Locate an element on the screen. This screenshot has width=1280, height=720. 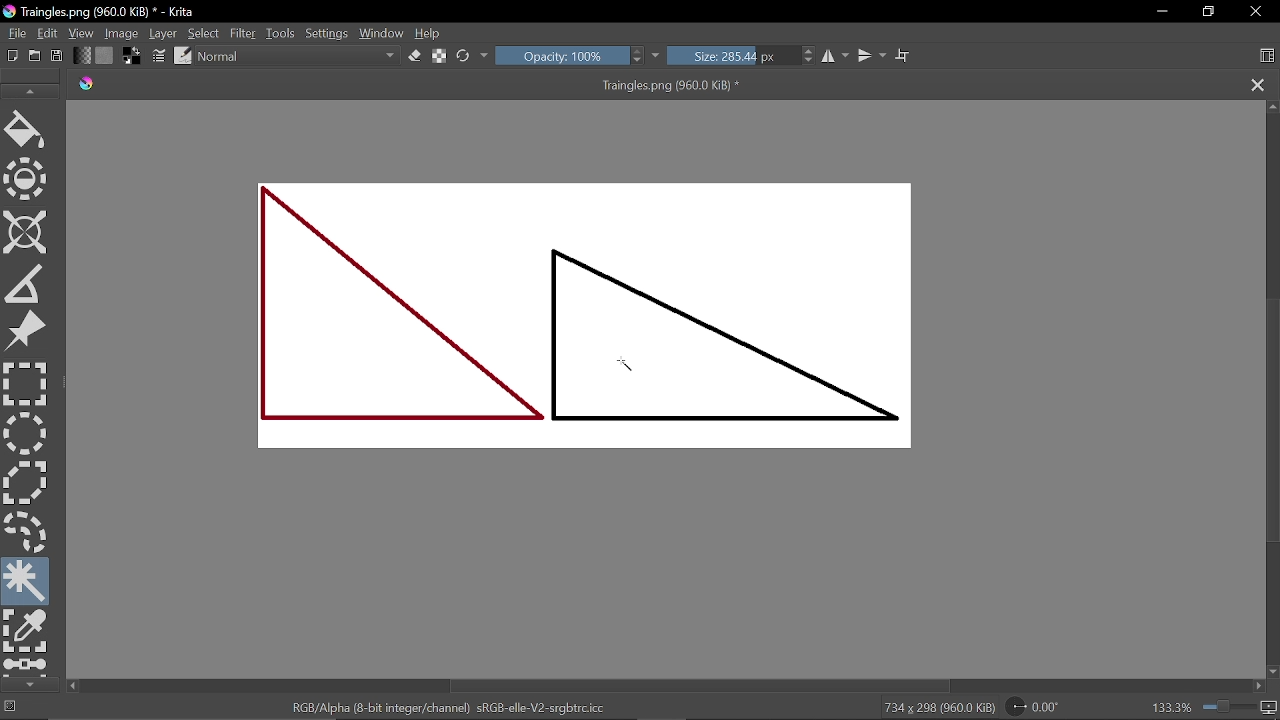
View is located at coordinates (82, 33).